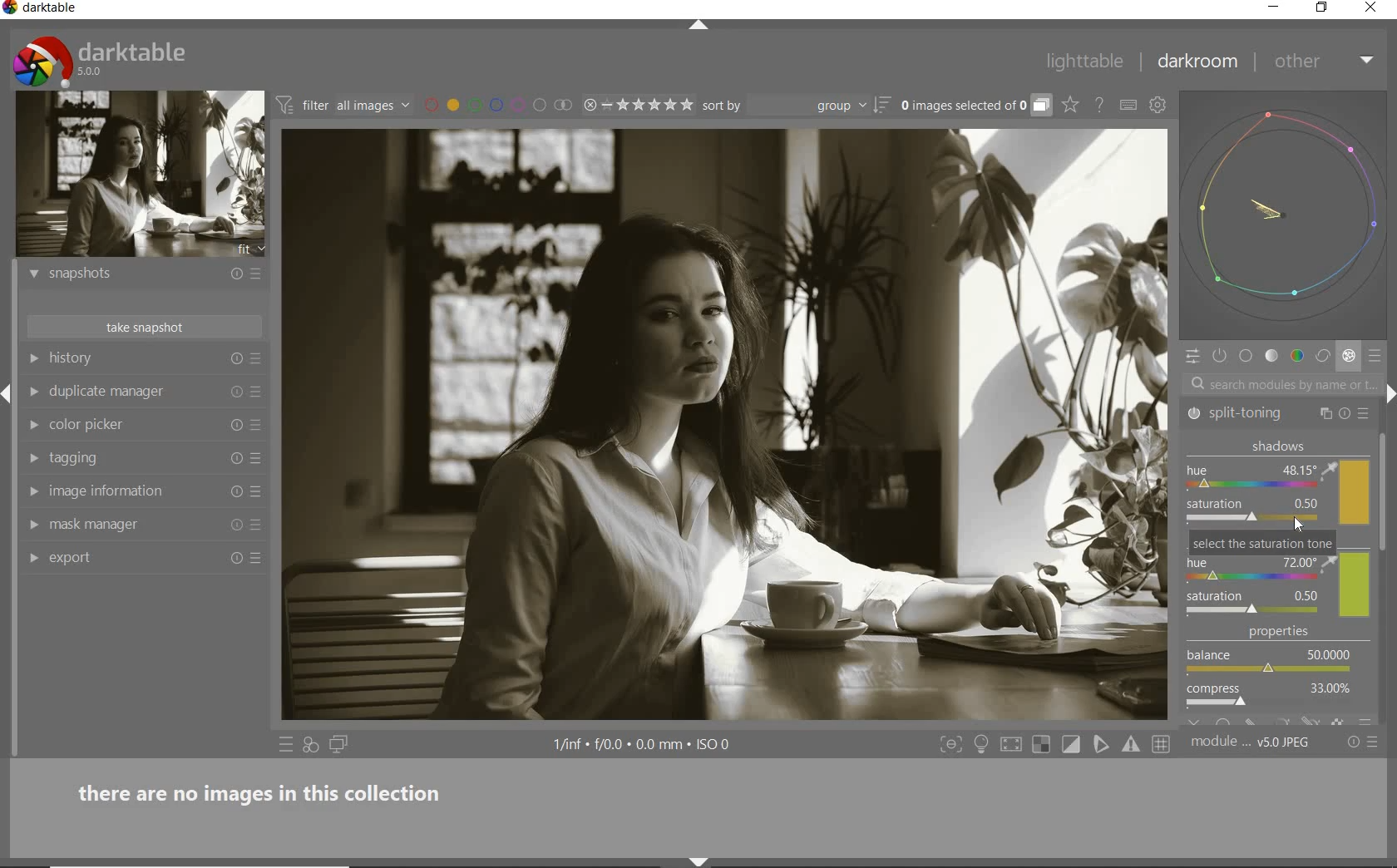 Image resolution: width=1397 pixels, height=868 pixels. I want to click on reset or preset & preferences, so click(1365, 742).